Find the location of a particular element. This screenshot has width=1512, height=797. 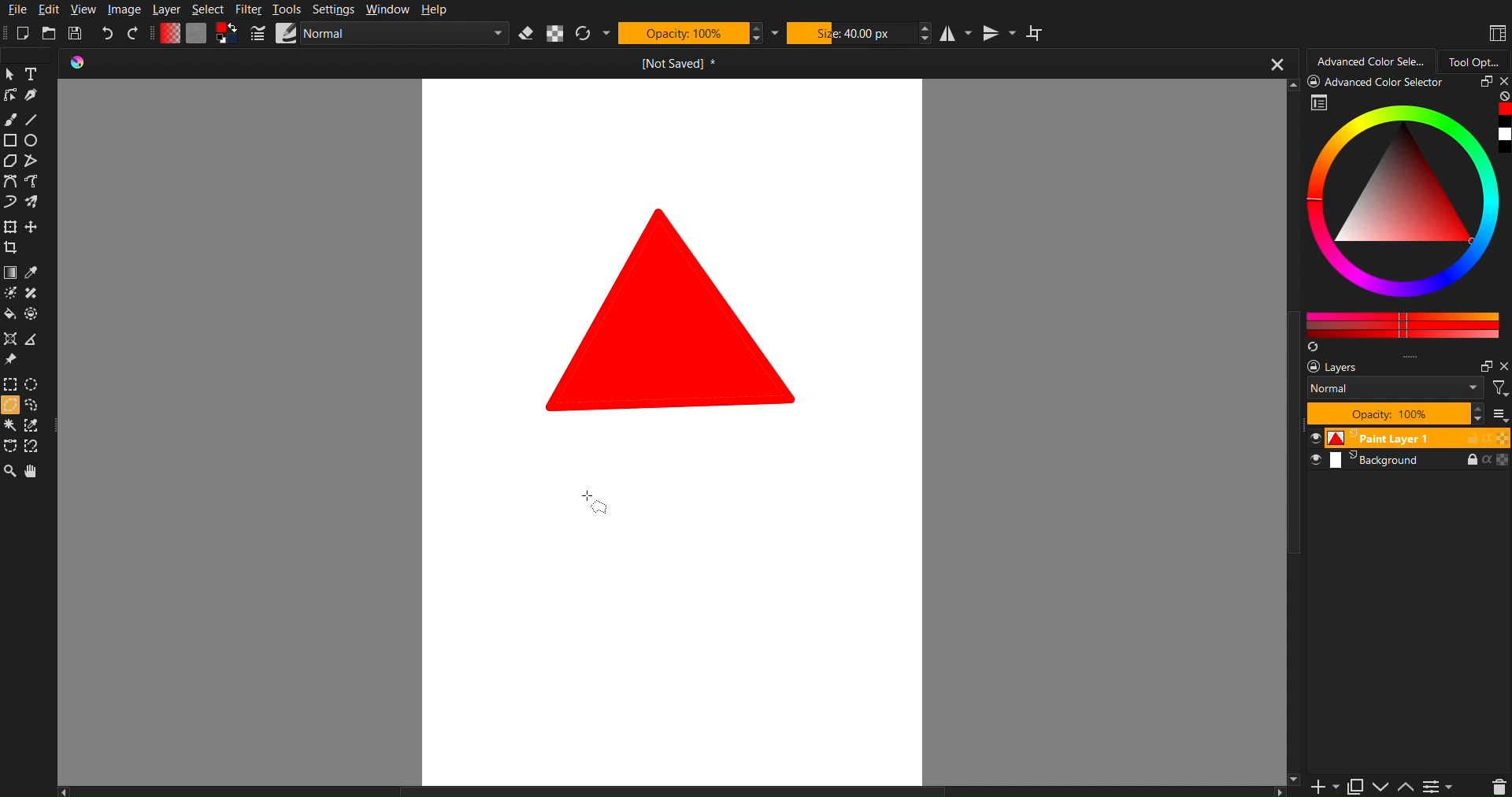

Line is located at coordinates (41, 119).